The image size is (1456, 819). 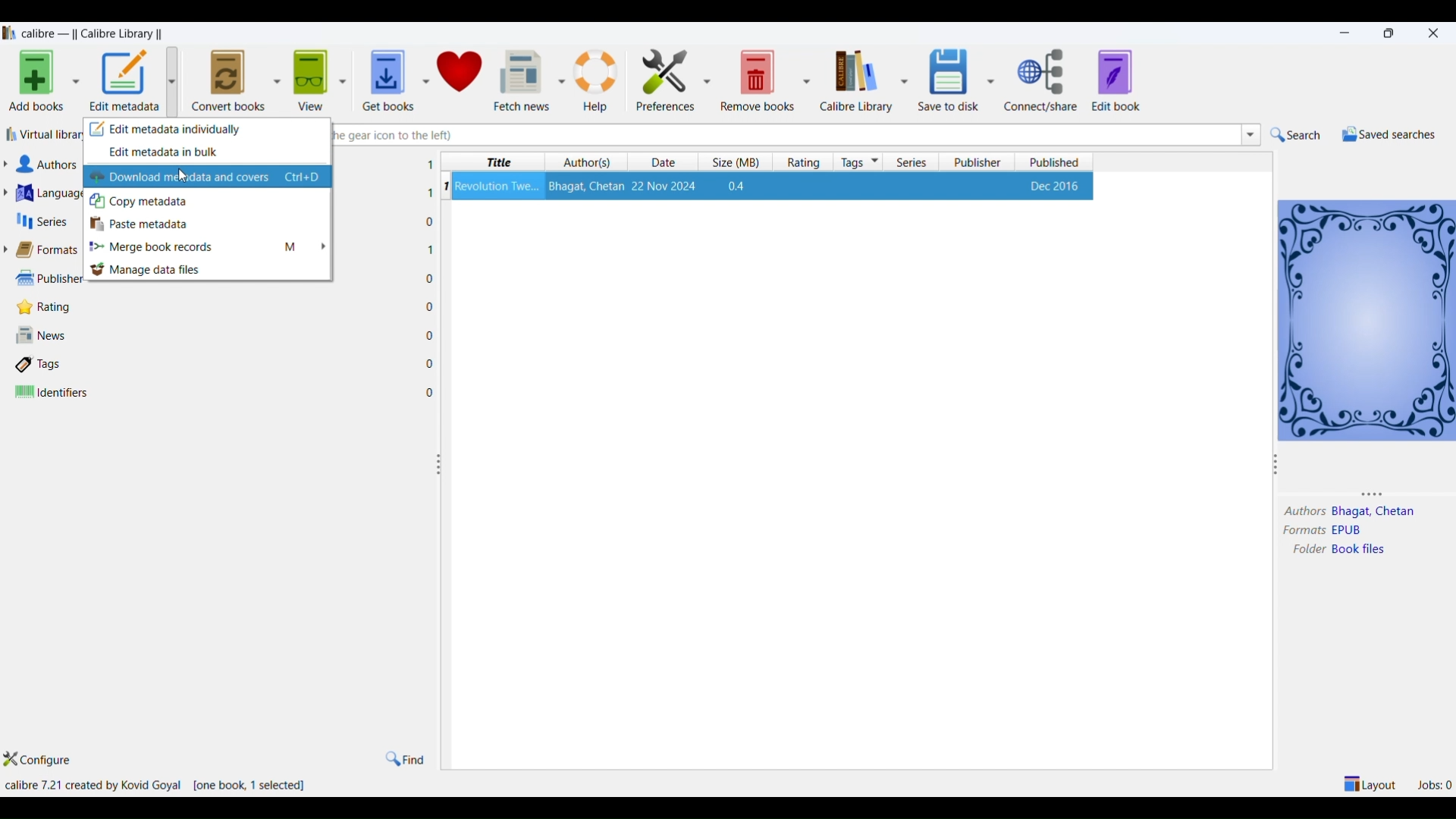 I want to click on 0, so click(x=430, y=222).